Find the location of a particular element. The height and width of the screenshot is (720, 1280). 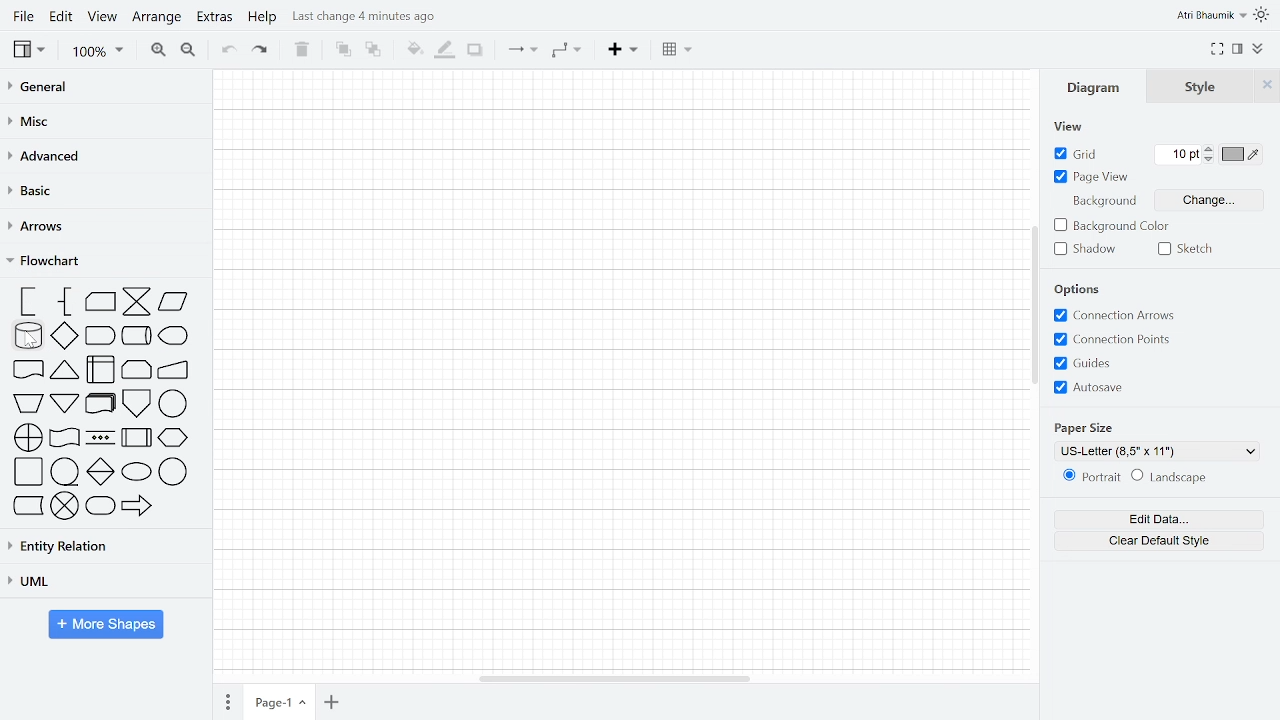

document is located at coordinates (28, 371).